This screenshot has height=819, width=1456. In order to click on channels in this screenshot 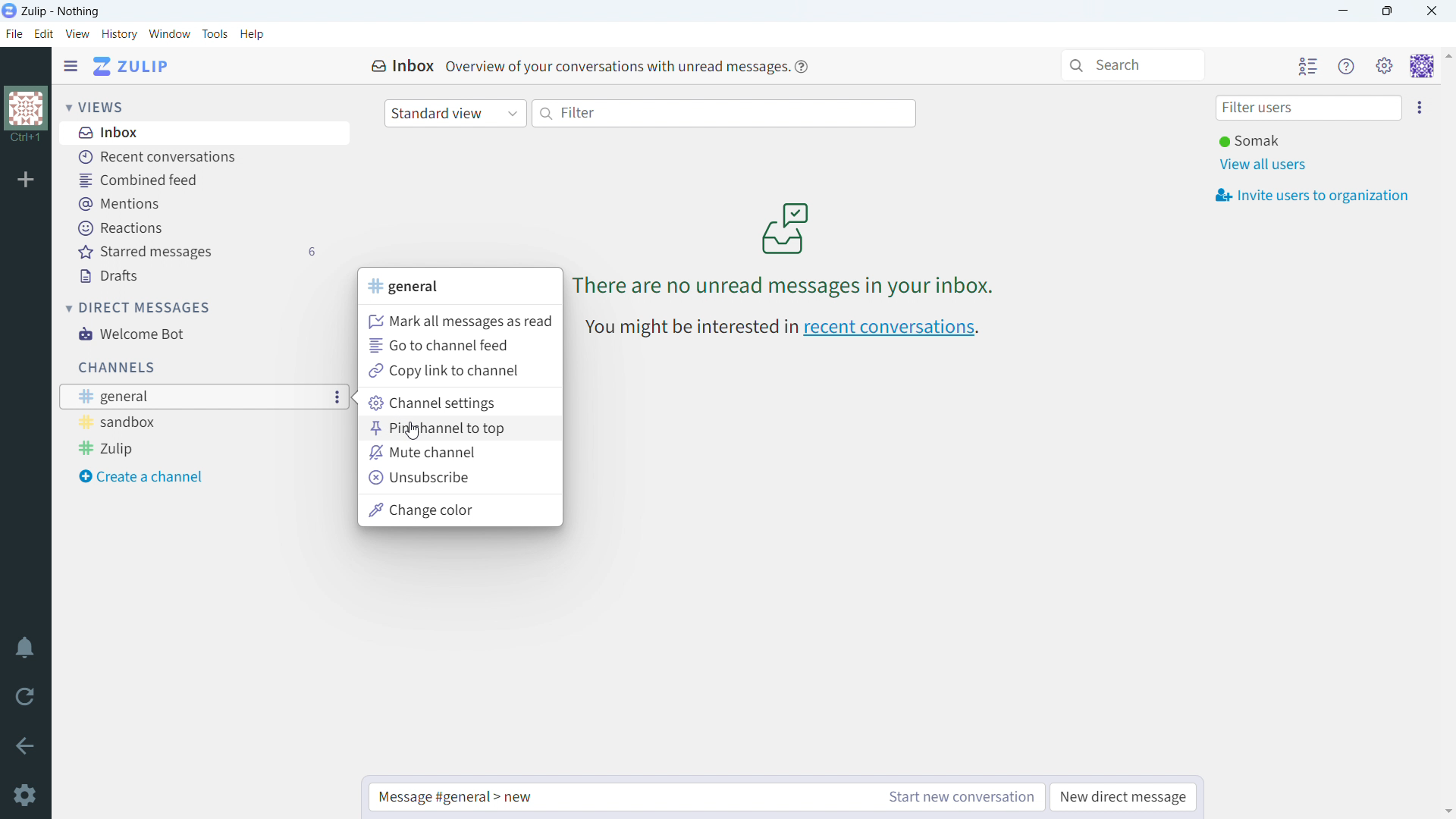, I will do `click(116, 368)`.